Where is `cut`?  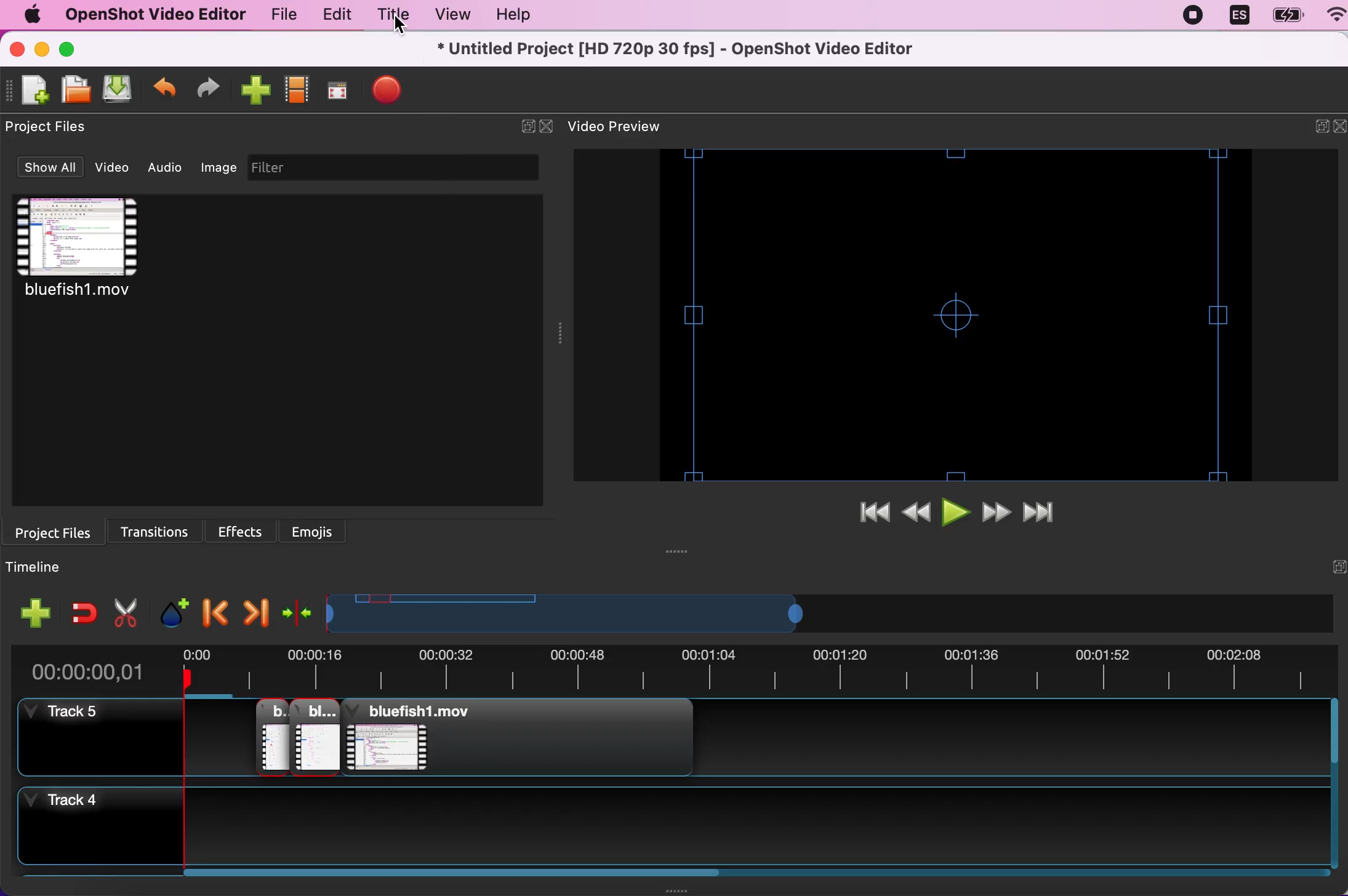 cut is located at coordinates (126, 610).